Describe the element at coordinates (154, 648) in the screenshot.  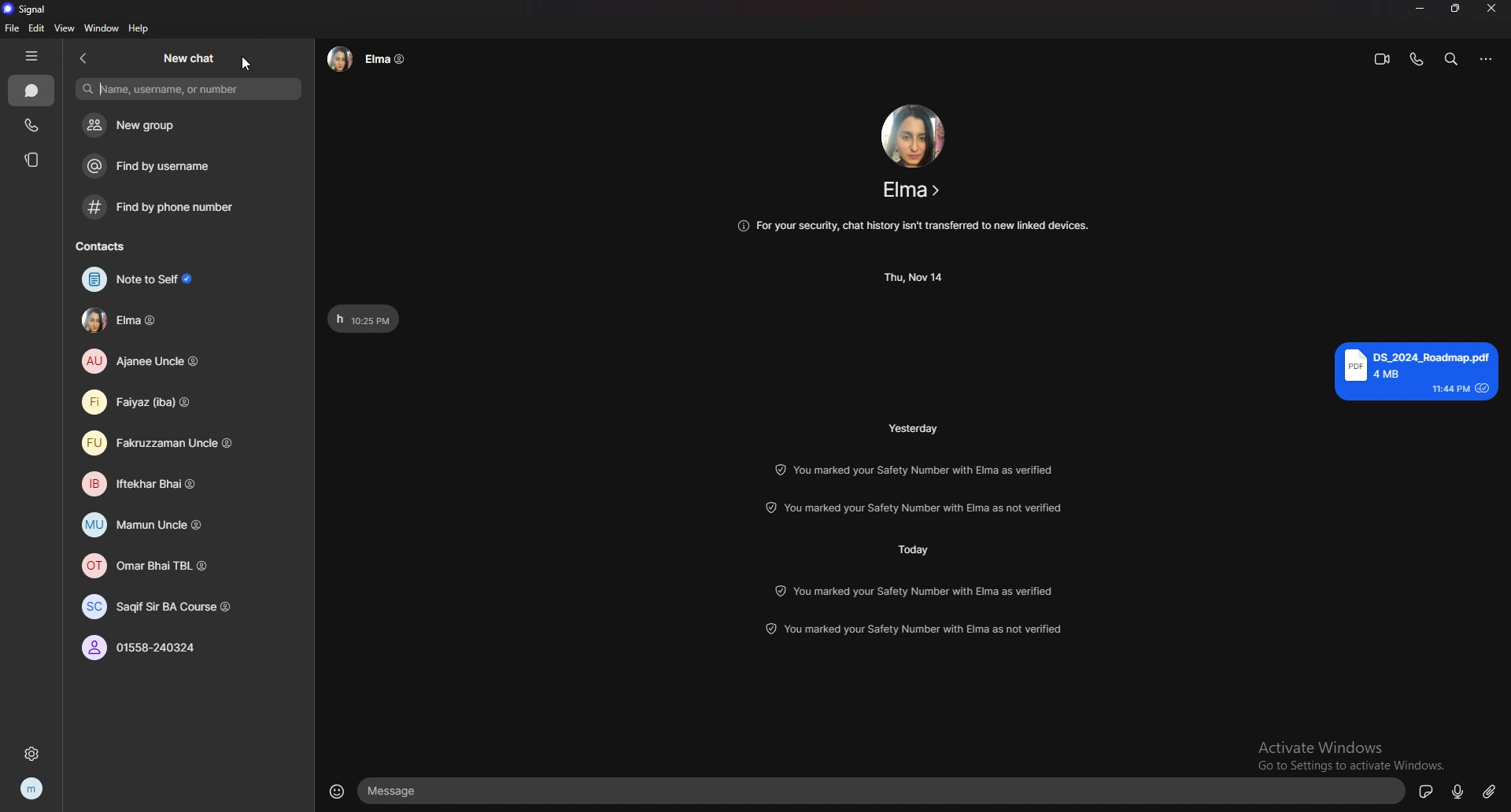
I see `contact` at that location.